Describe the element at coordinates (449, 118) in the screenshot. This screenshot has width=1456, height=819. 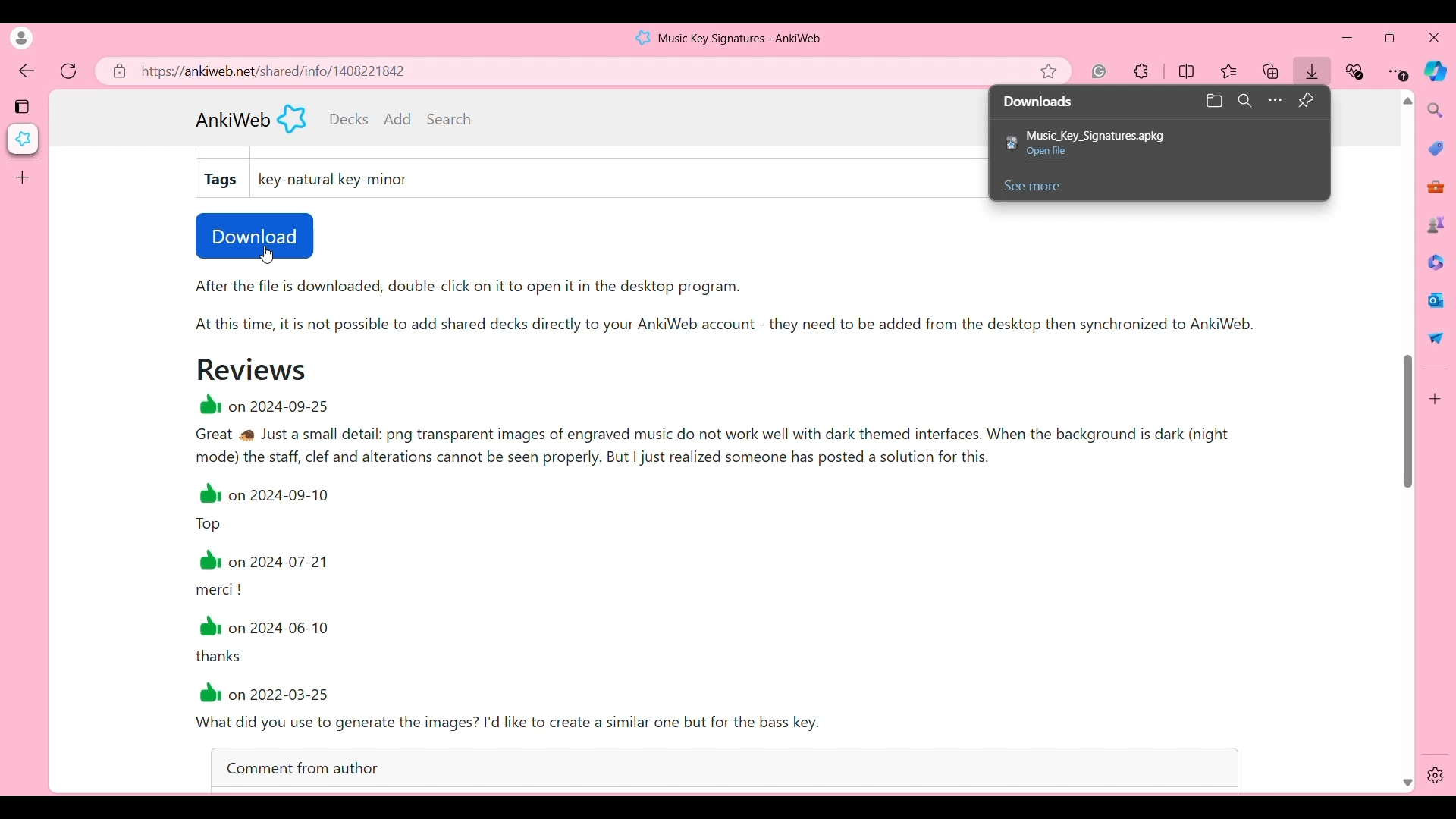
I see `Search` at that location.